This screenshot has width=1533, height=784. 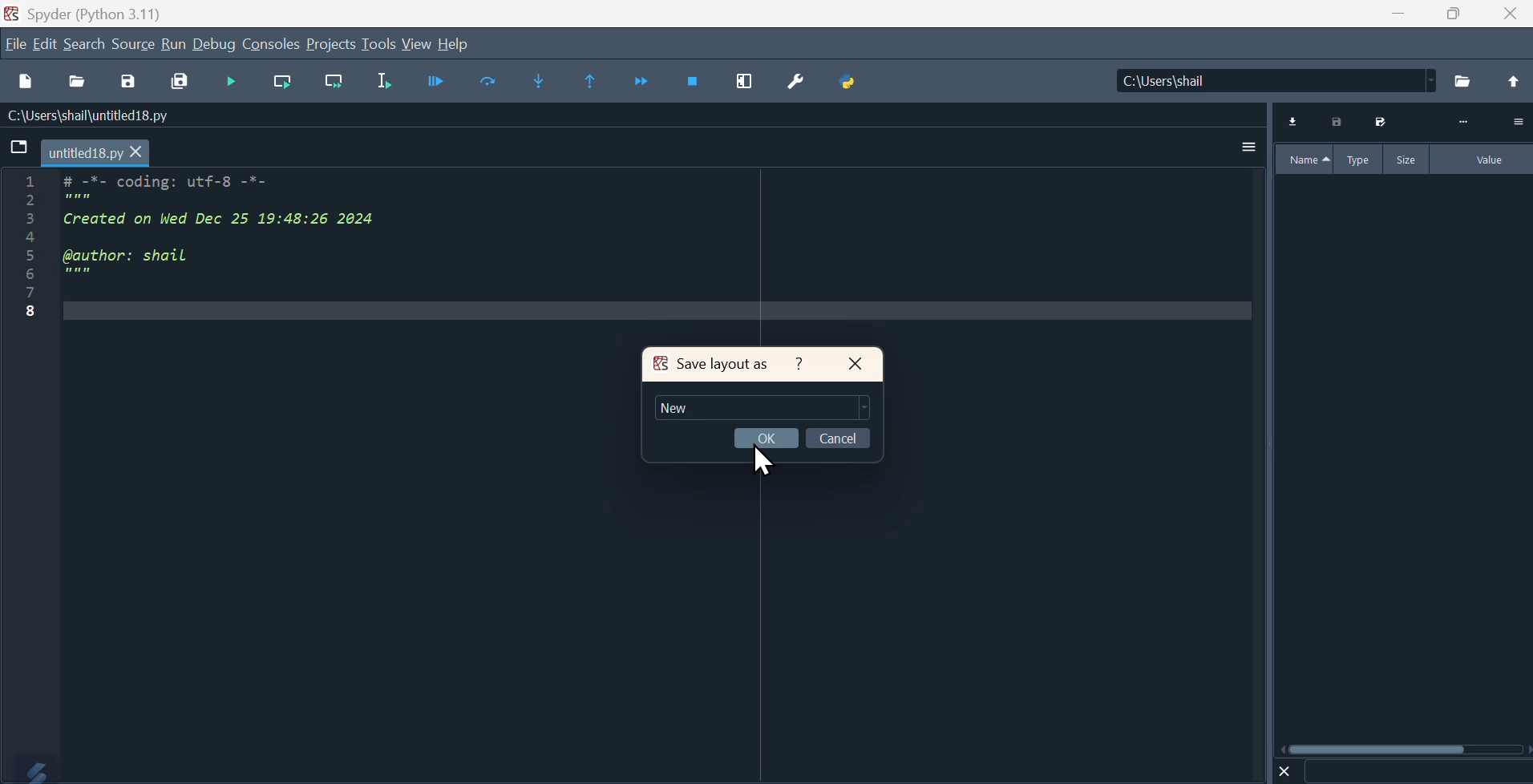 I want to click on Open up, so click(x=1511, y=83).